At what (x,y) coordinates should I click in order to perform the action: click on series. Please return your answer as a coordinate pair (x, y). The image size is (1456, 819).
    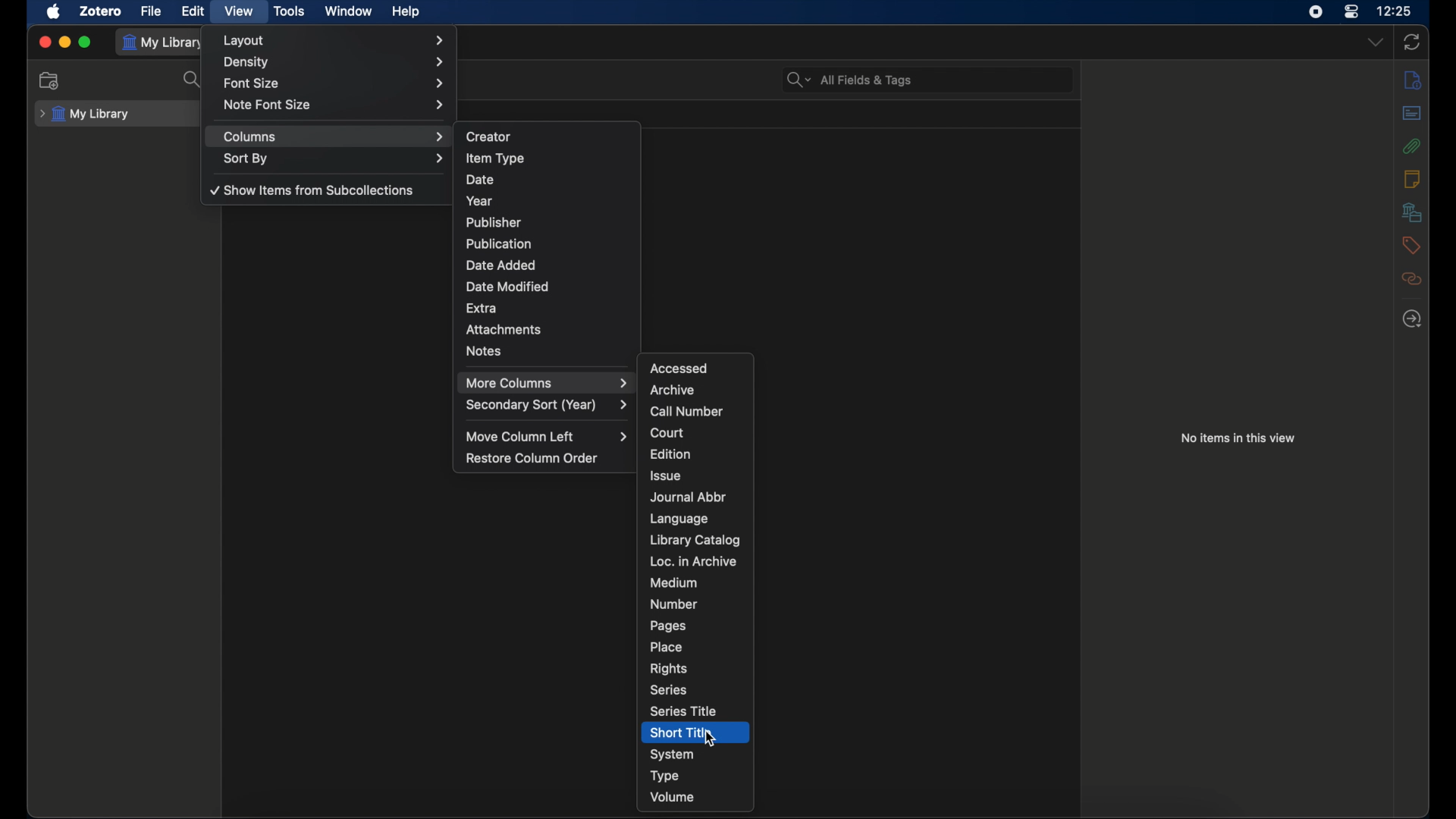
    Looking at the image, I should click on (668, 690).